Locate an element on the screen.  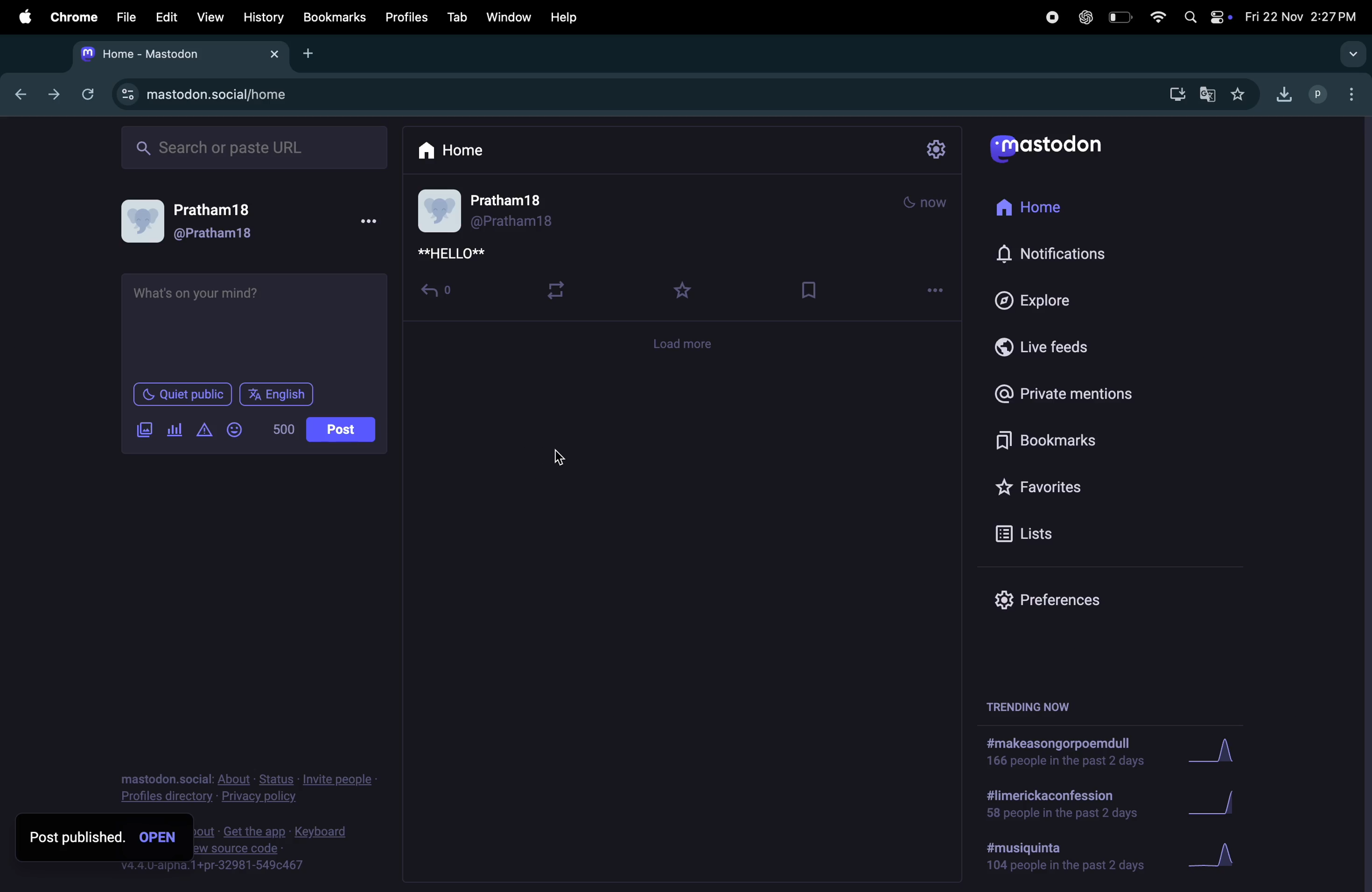
favorites is located at coordinates (1087, 488).